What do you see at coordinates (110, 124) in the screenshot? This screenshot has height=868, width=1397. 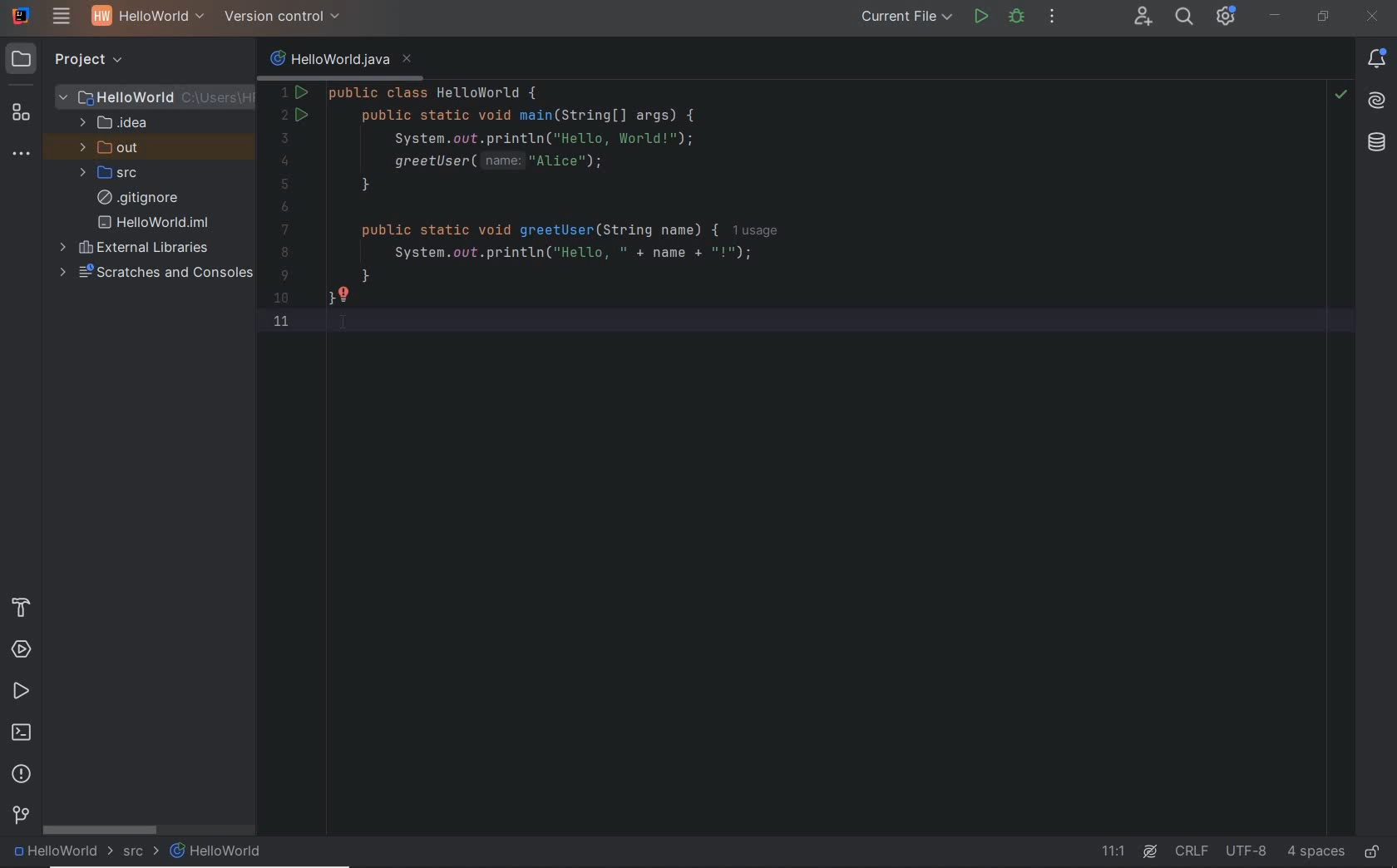 I see `.idea (folder)` at bounding box center [110, 124].